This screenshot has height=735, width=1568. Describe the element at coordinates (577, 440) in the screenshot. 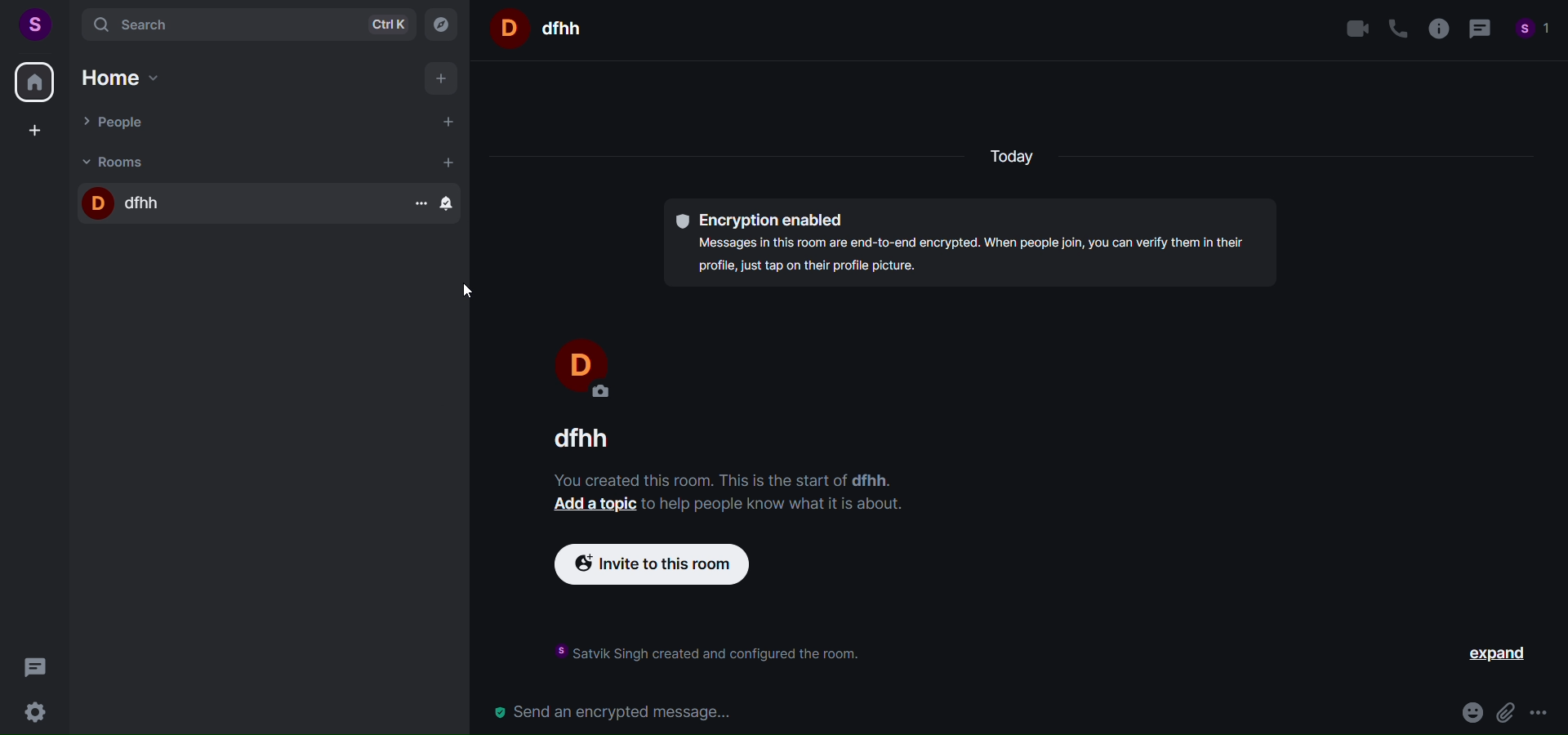

I see `dfhh` at that location.